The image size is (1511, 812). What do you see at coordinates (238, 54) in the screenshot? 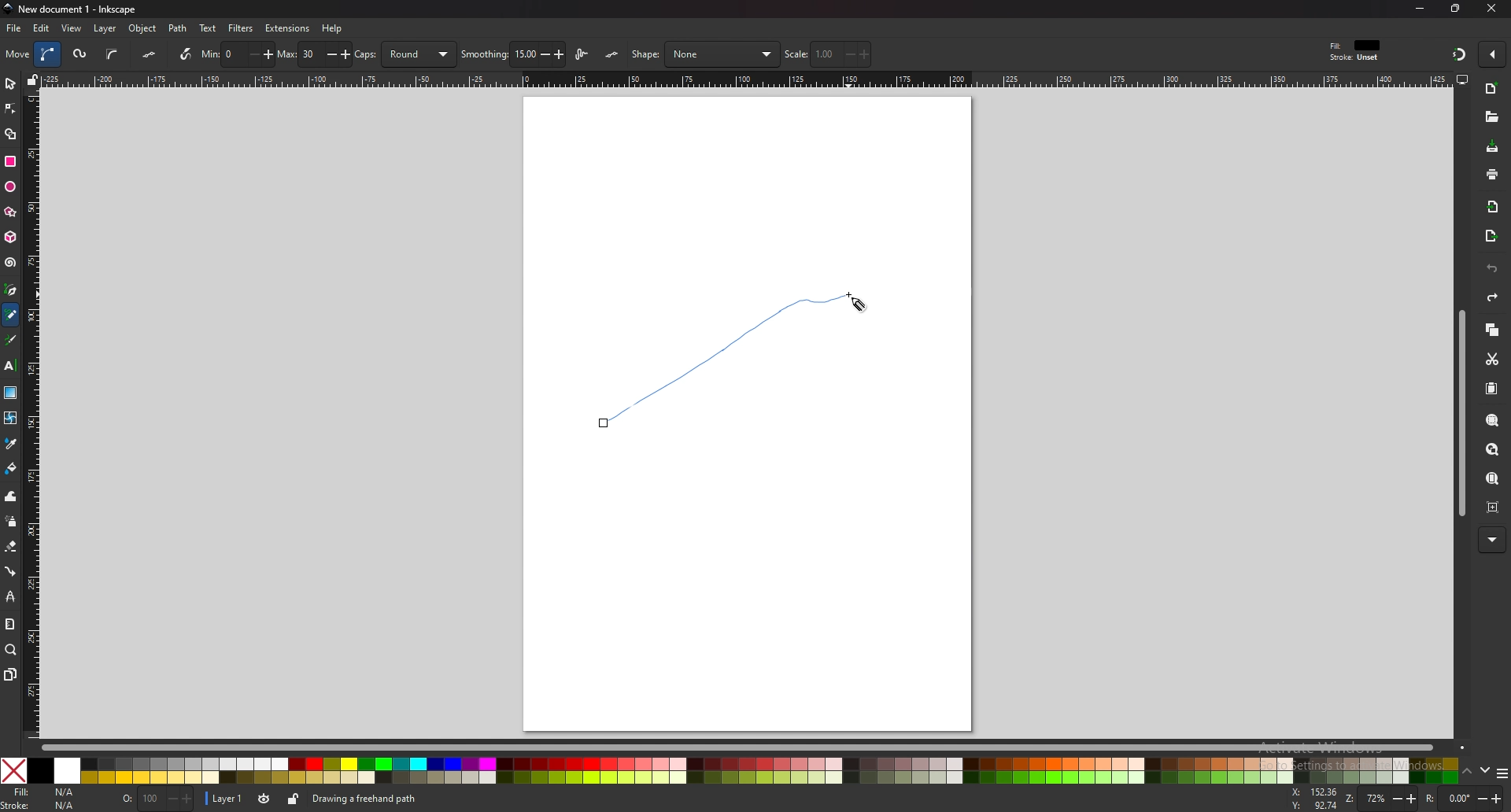
I see `min` at bounding box center [238, 54].